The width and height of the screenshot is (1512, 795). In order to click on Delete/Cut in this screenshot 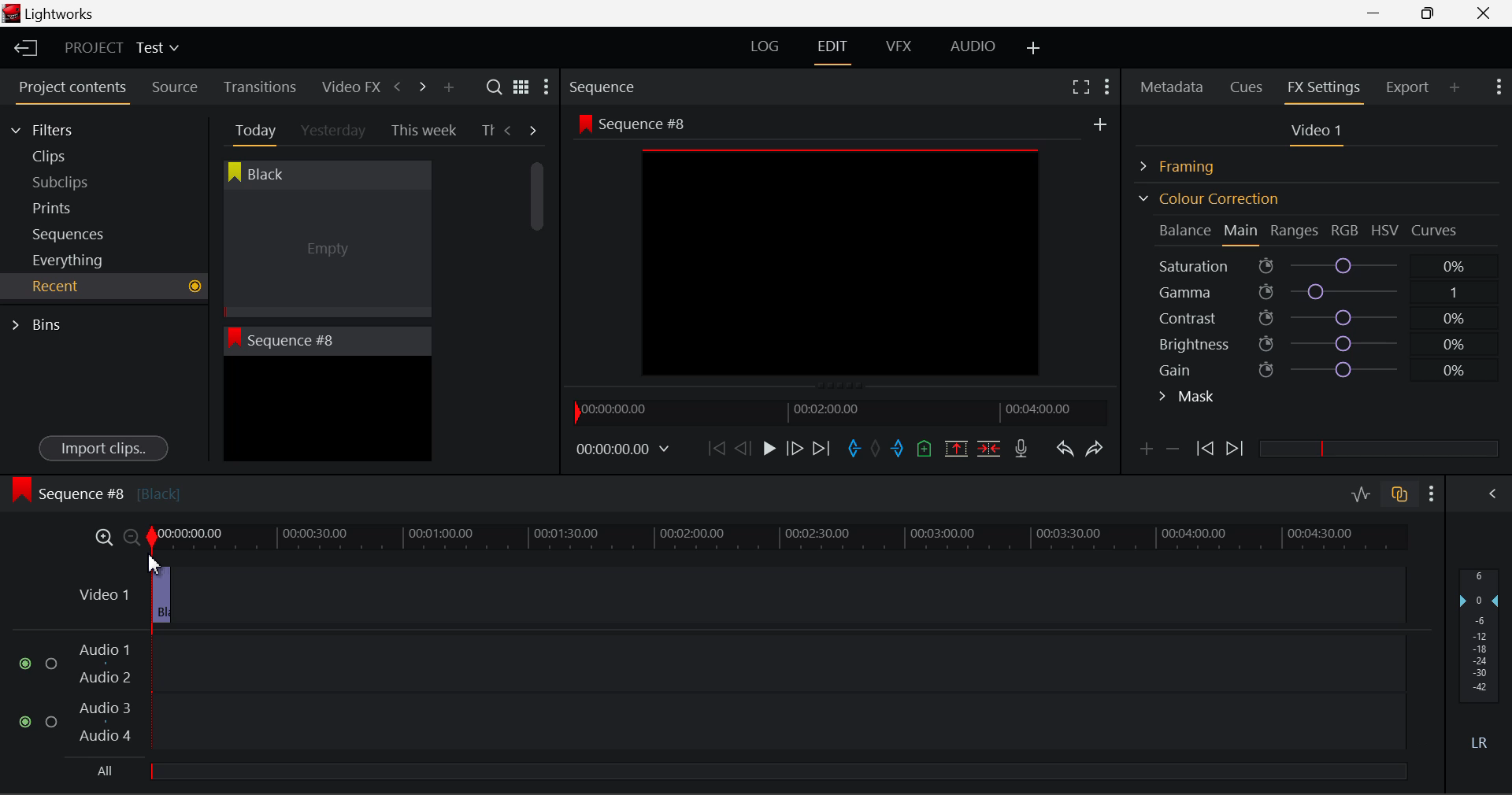, I will do `click(989, 448)`.